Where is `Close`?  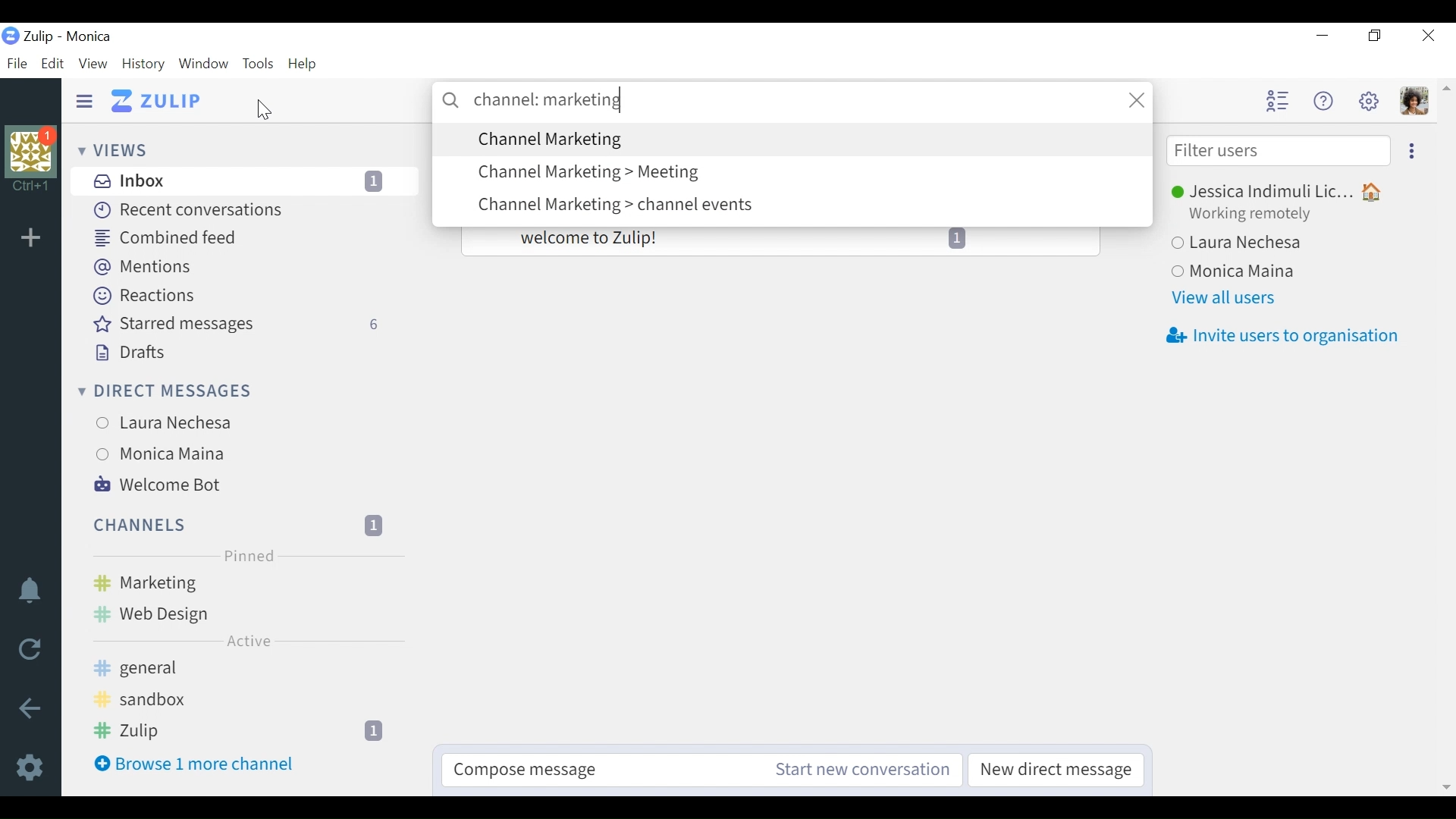 Close is located at coordinates (1426, 35).